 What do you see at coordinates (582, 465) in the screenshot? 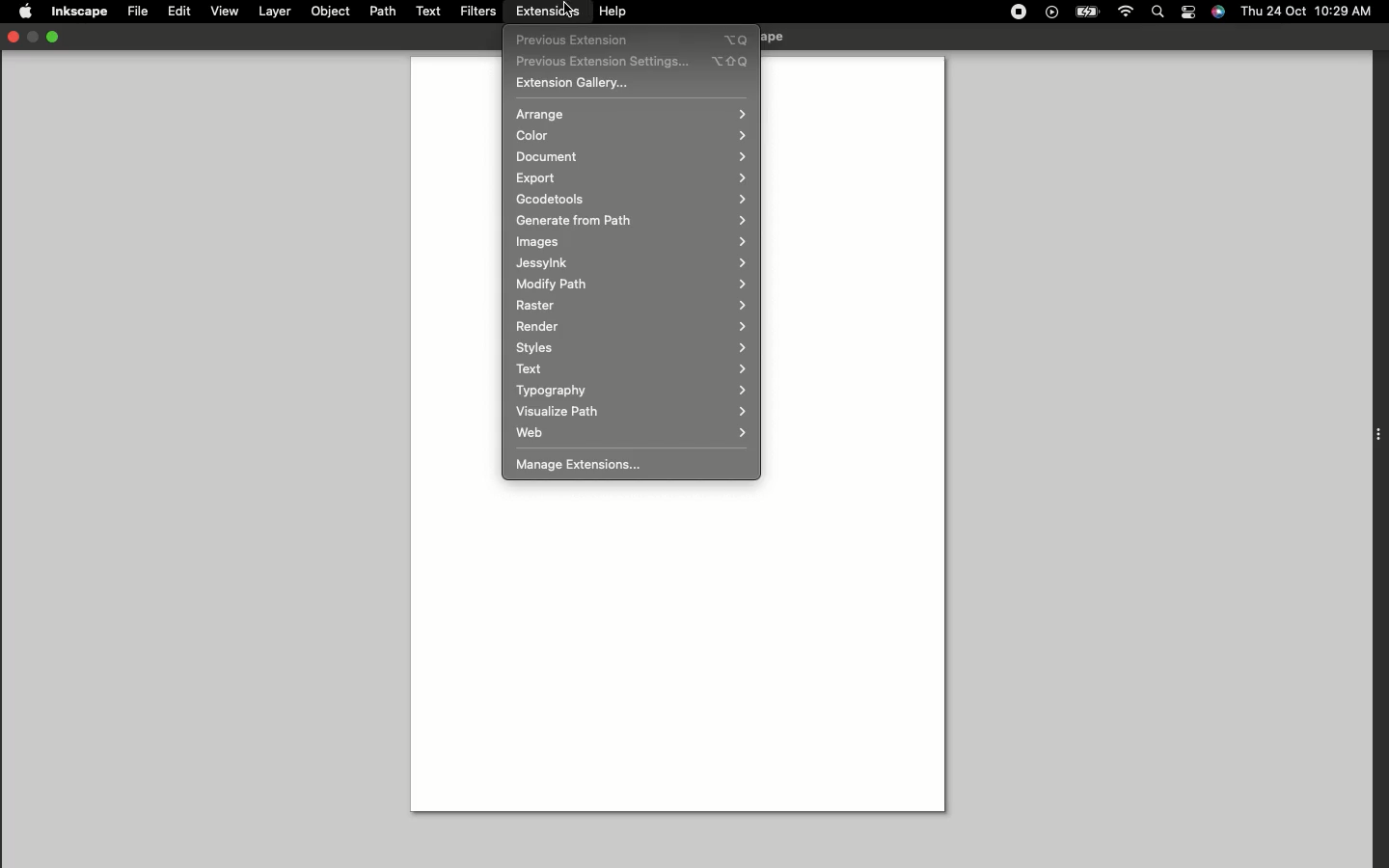
I see `Manage Extensions` at bounding box center [582, 465].